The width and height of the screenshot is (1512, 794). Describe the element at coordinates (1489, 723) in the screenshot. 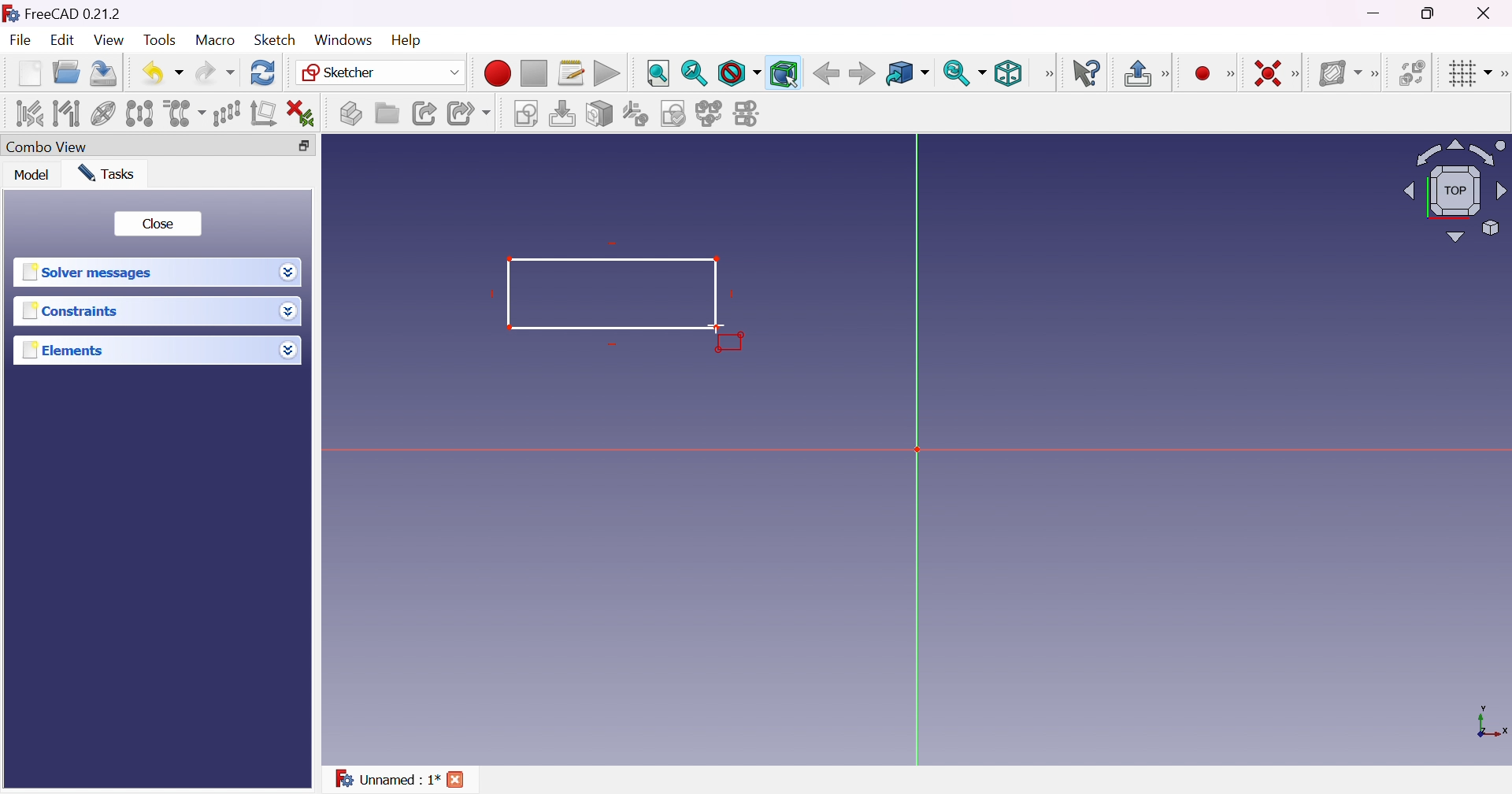

I see `x, y axis` at that location.